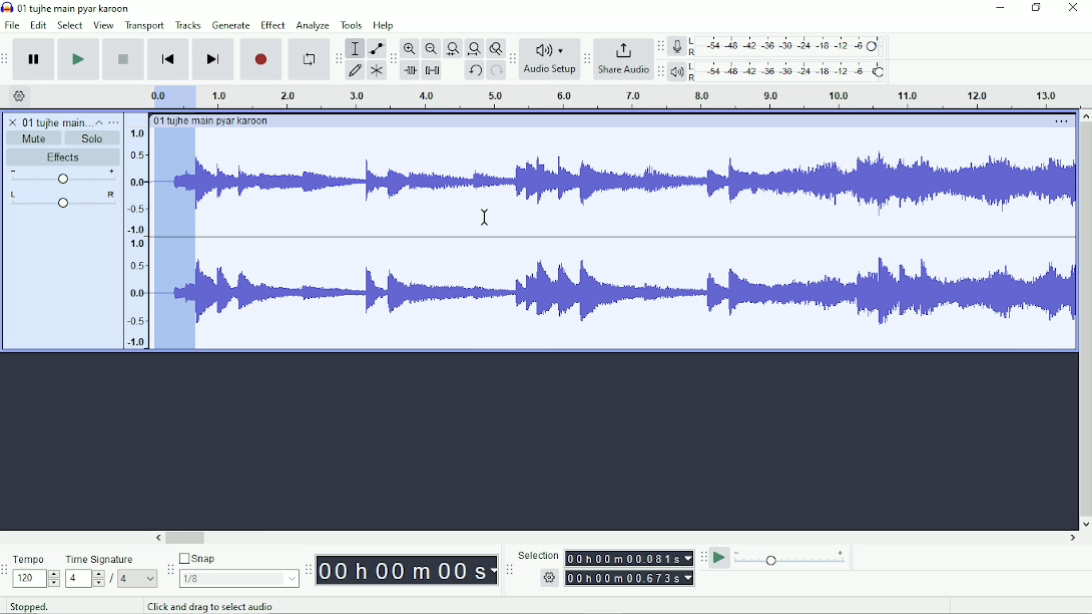  What do you see at coordinates (272, 24) in the screenshot?
I see `Effect` at bounding box center [272, 24].